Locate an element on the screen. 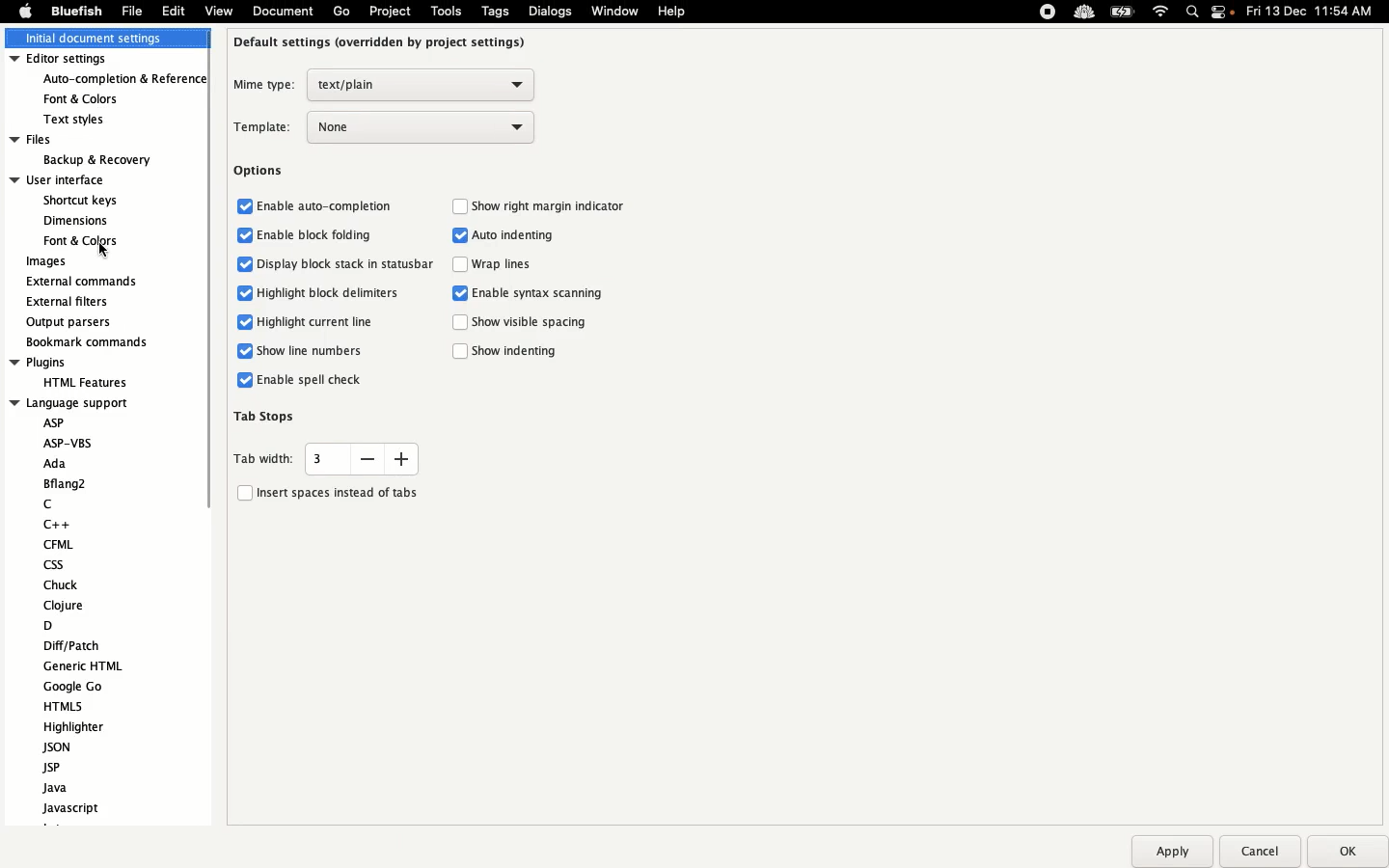  fonts and colors is located at coordinates (77, 241).